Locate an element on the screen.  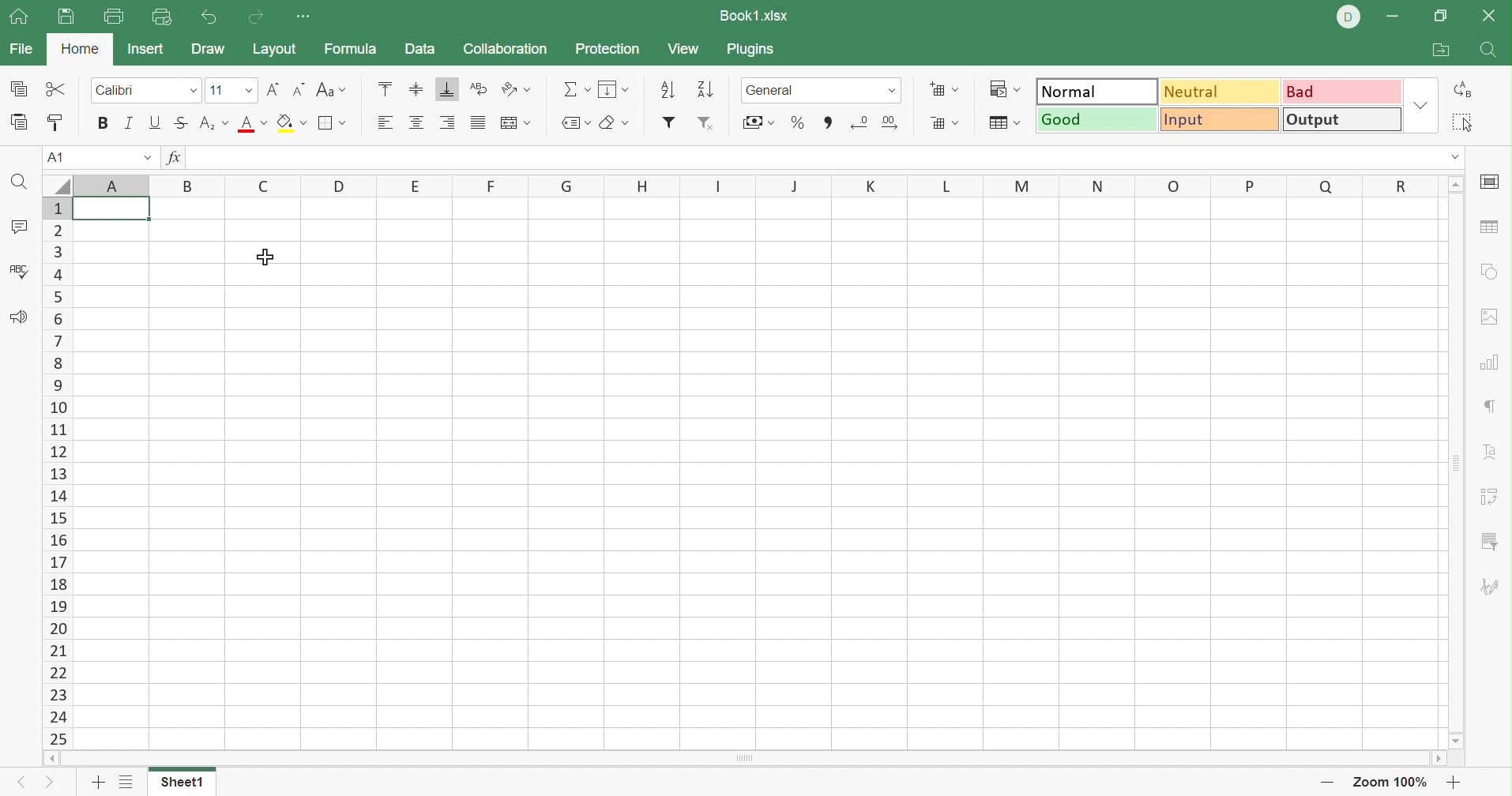
Comments is located at coordinates (21, 227).